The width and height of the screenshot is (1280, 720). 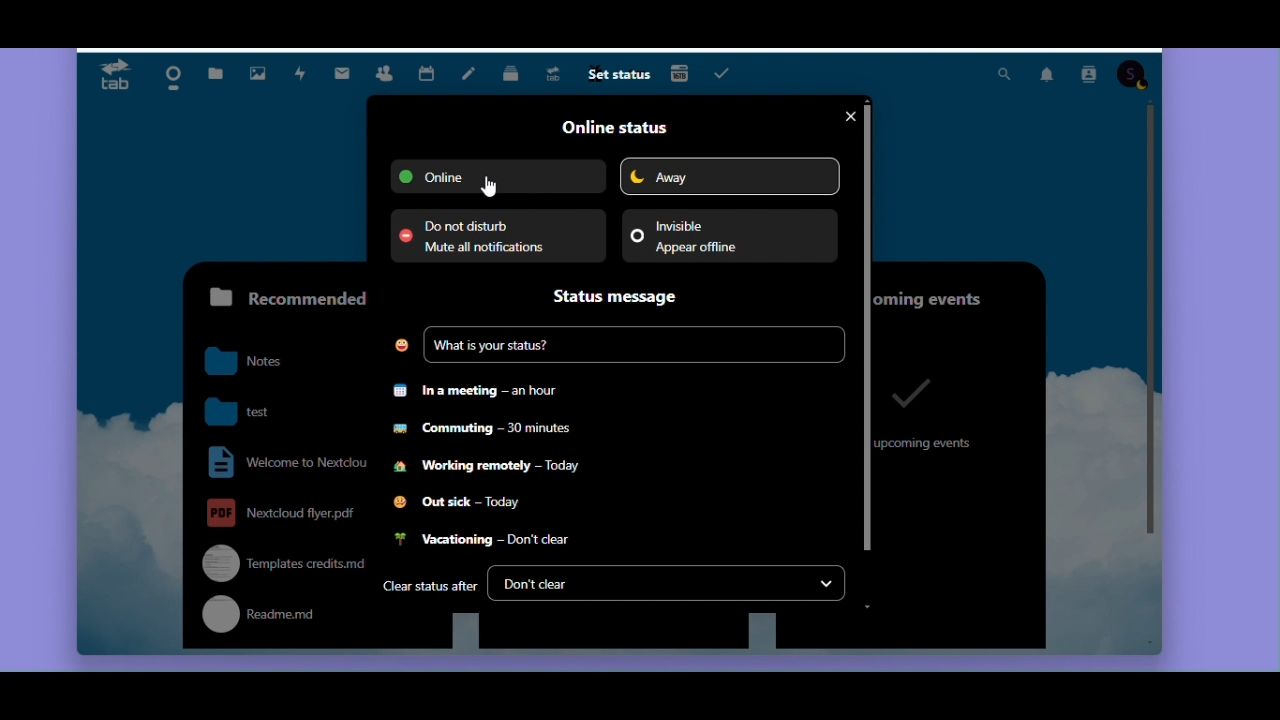 What do you see at coordinates (617, 76) in the screenshot?
I see `Set status` at bounding box center [617, 76].